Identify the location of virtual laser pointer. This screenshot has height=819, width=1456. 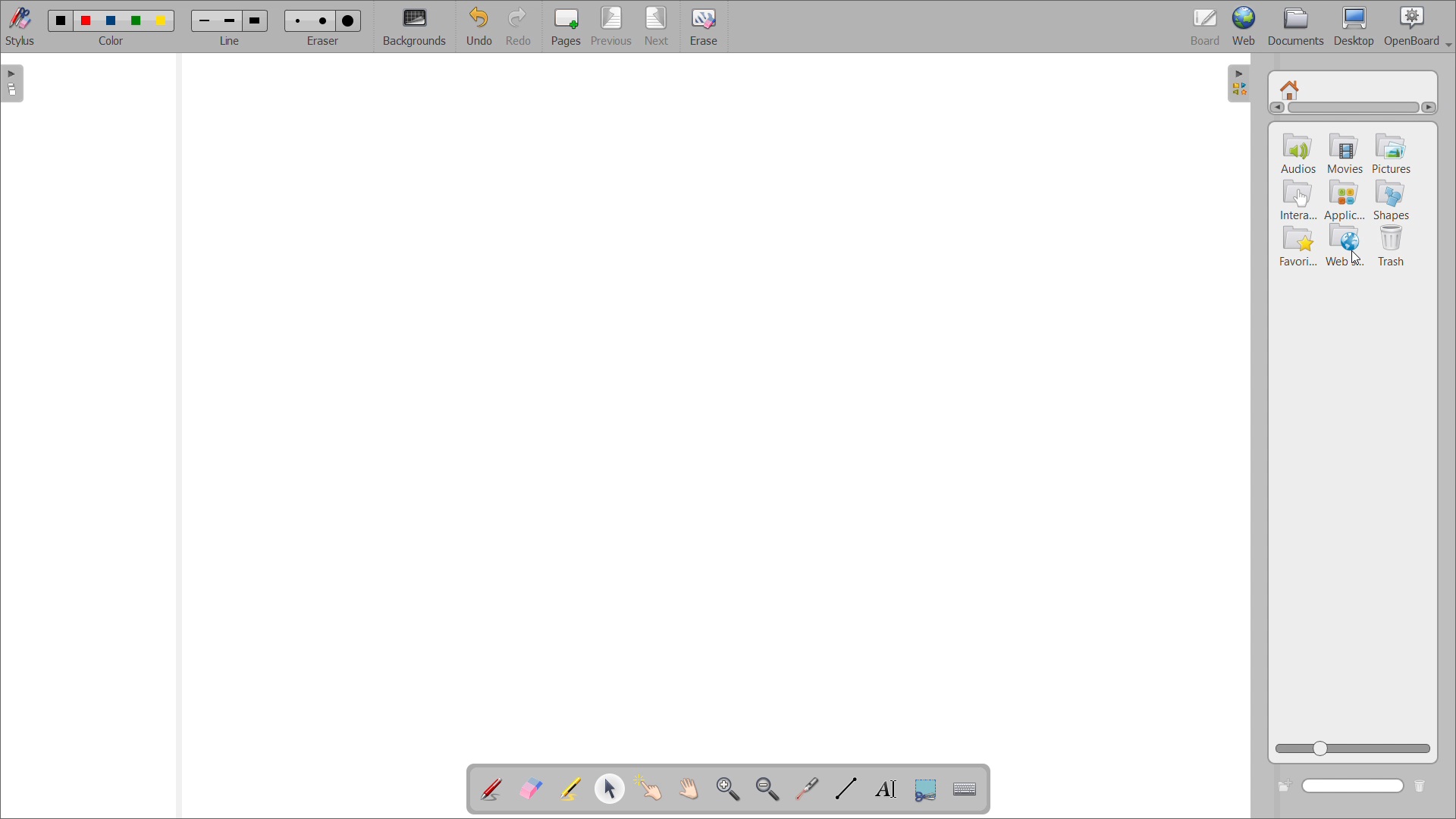
(807, 789).